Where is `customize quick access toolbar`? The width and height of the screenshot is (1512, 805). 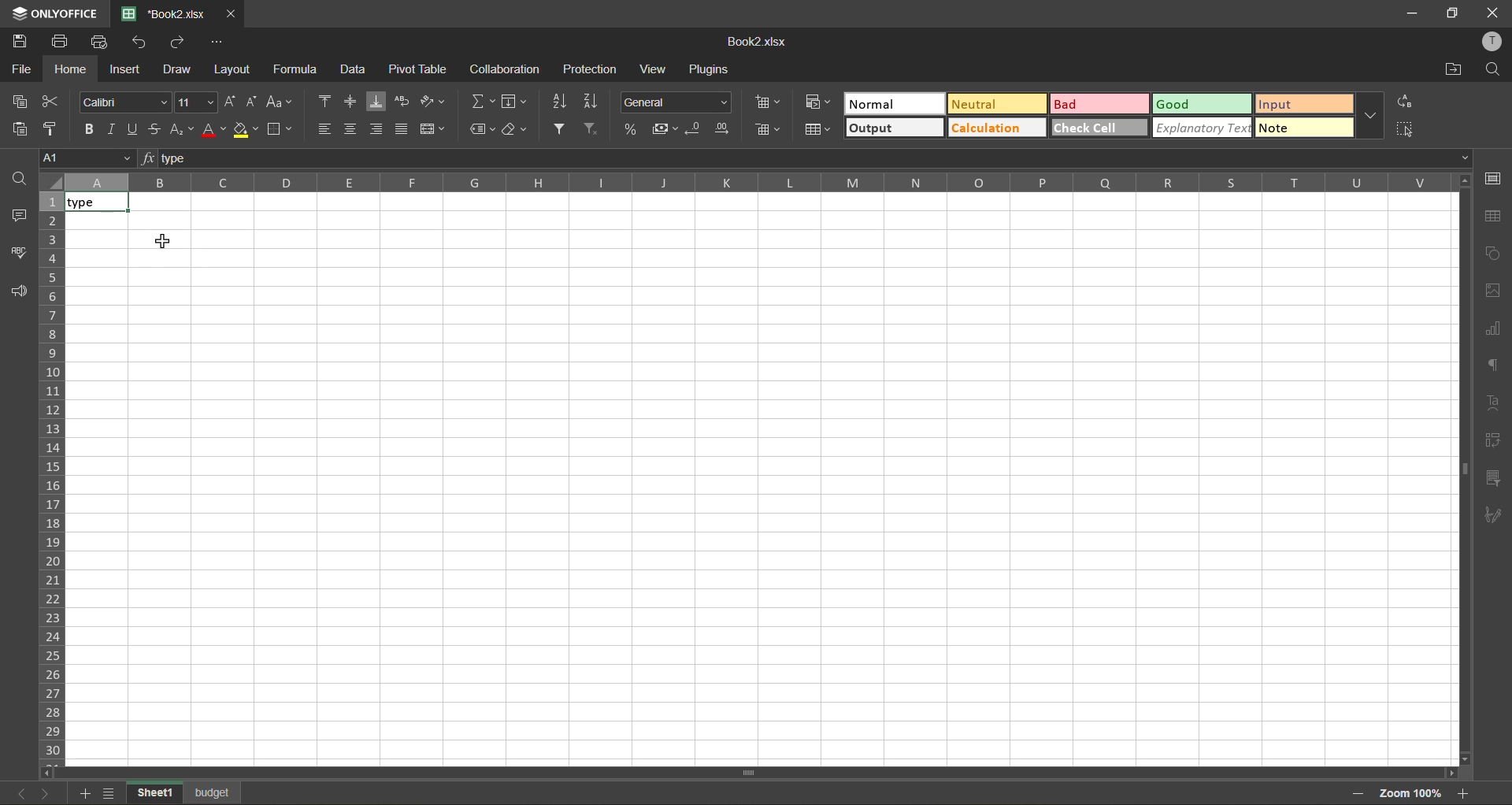
customize quick access toolbar is located at coordinates (217, 44).